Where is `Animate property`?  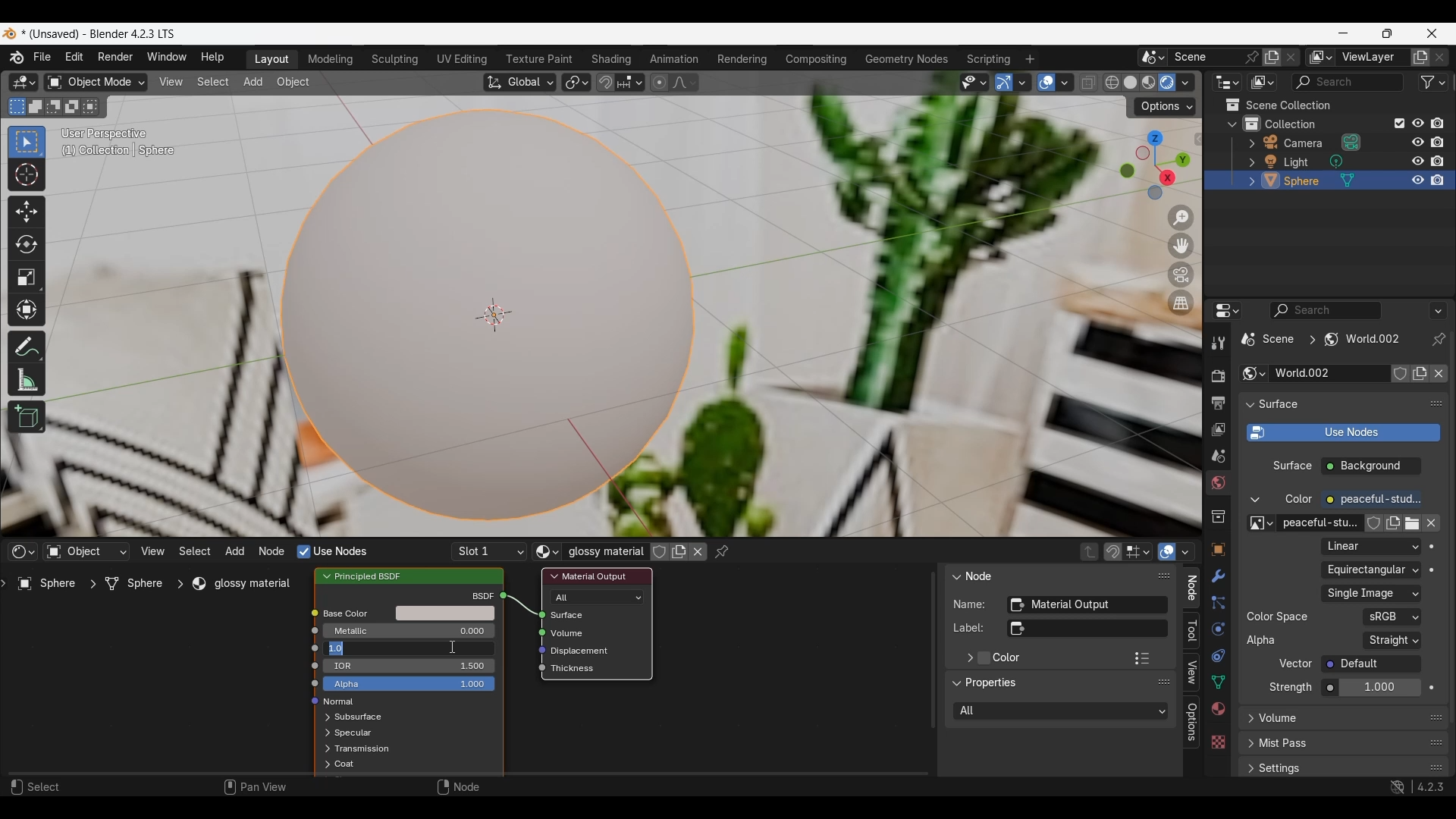 Animate property is located at coordinates (1432, 547).